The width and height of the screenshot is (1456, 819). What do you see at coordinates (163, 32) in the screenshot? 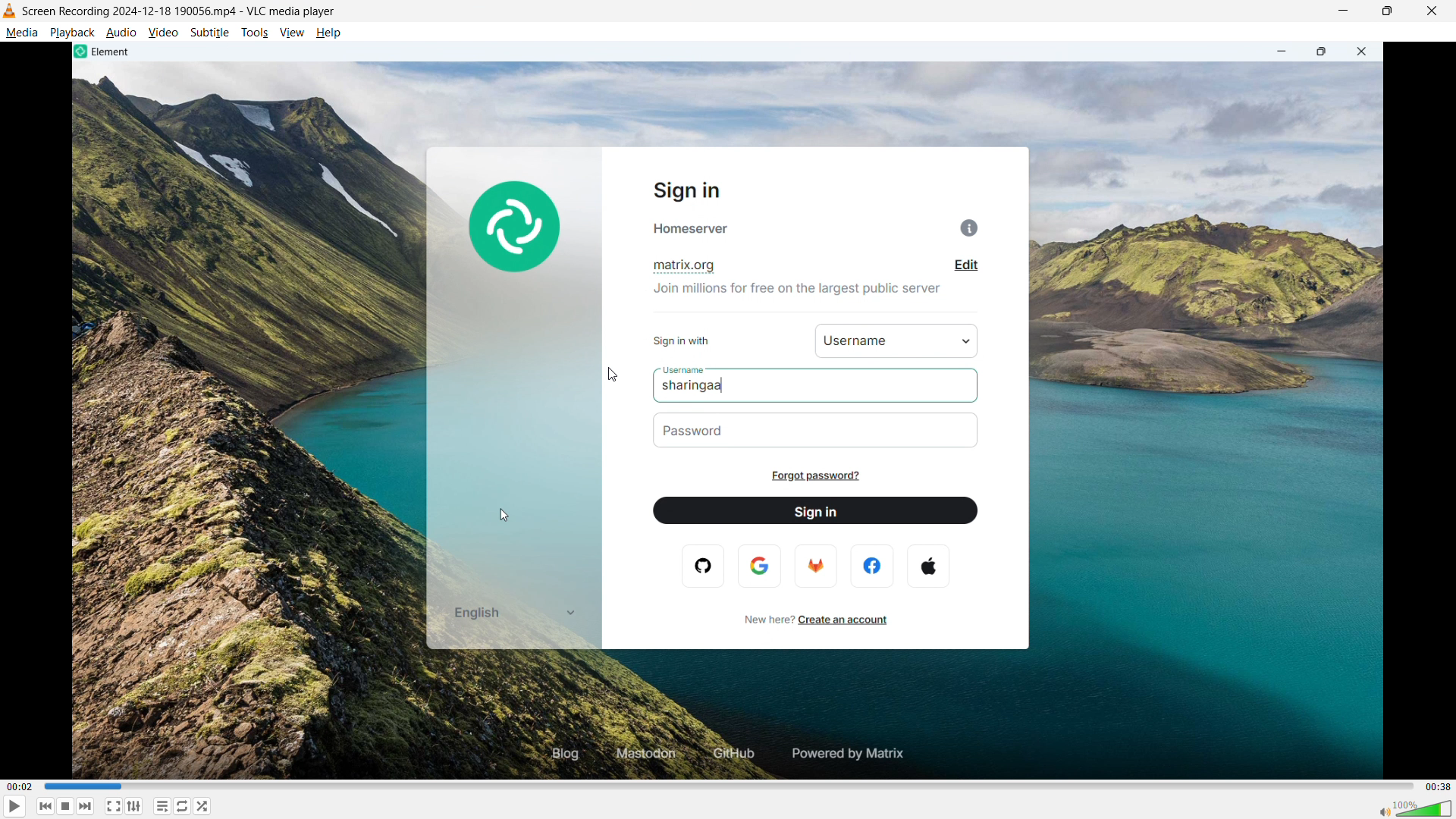
I see `Video ` at bounding box center [163, 32].